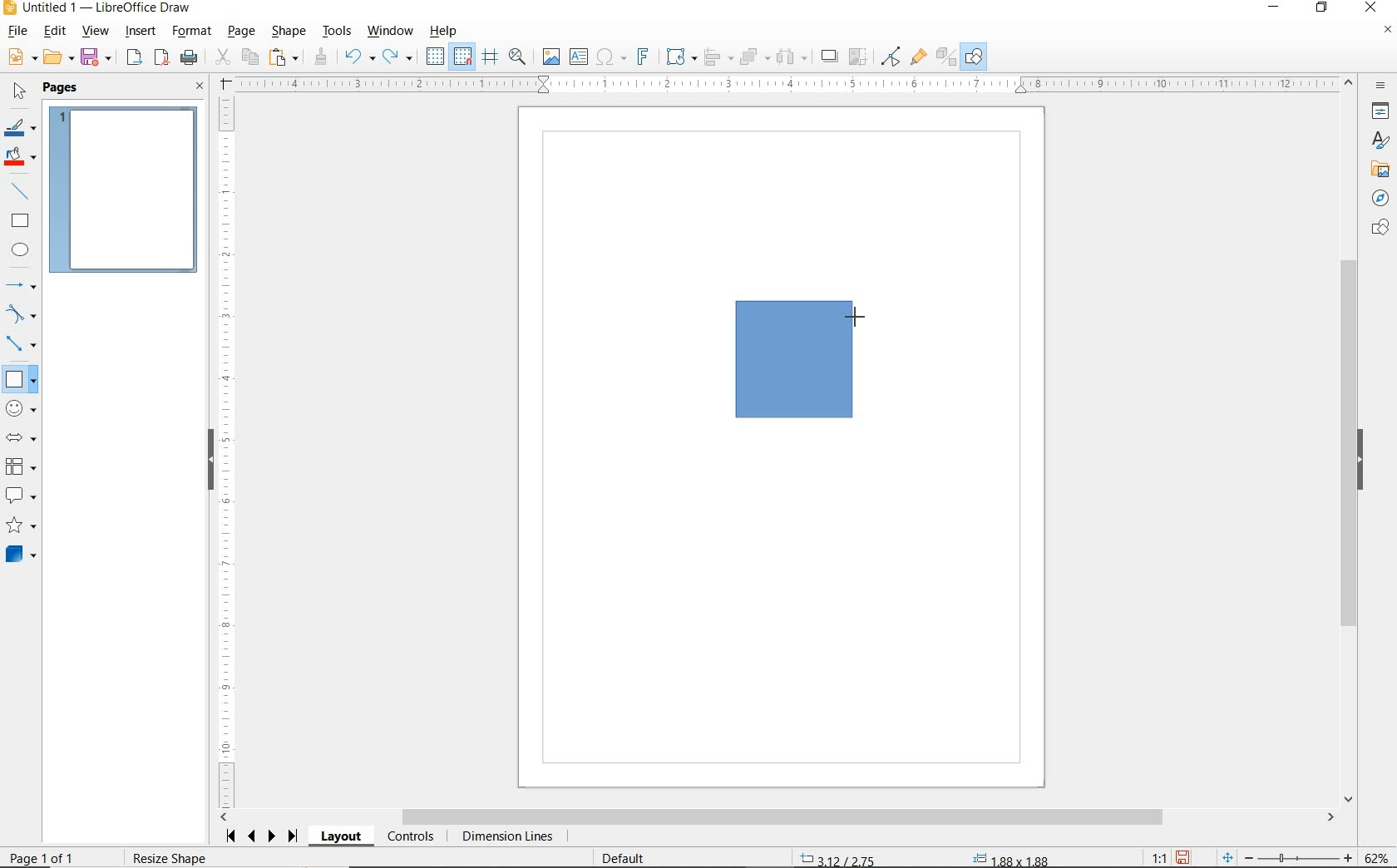 This screenshot has height=868, width=1397. I want to click on HELPLINES WHILE MOVING, so click(493, 59).